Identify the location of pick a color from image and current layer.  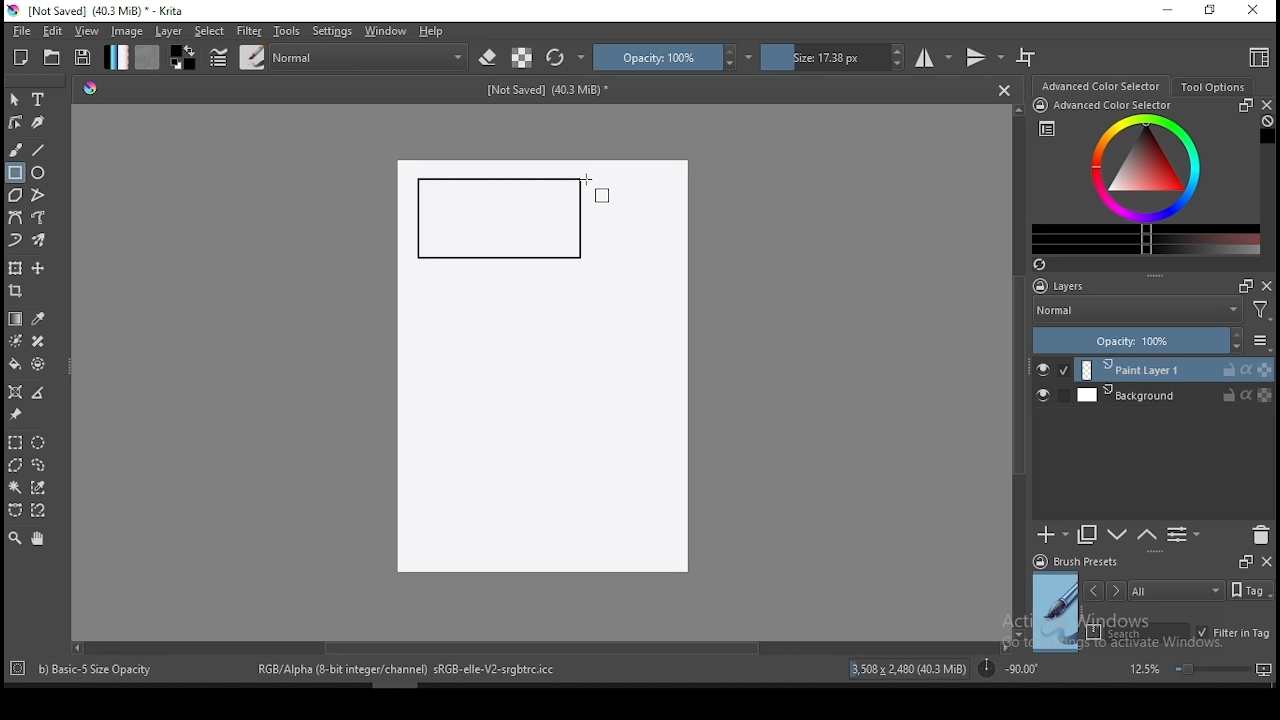
(39, 319).